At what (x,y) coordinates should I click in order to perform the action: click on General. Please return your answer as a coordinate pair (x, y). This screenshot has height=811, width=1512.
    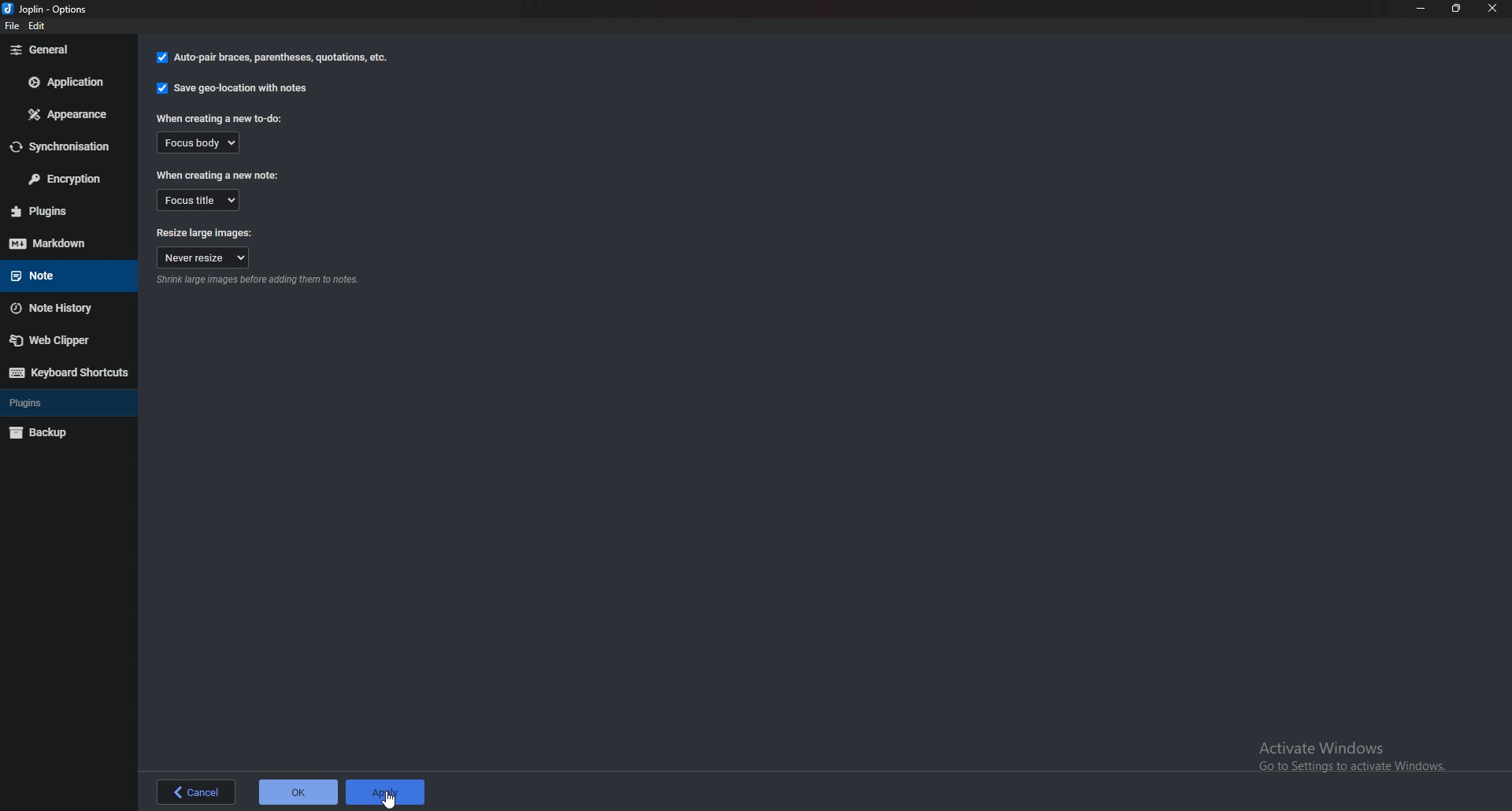
    Looking at the image, I should click on (69, 49).